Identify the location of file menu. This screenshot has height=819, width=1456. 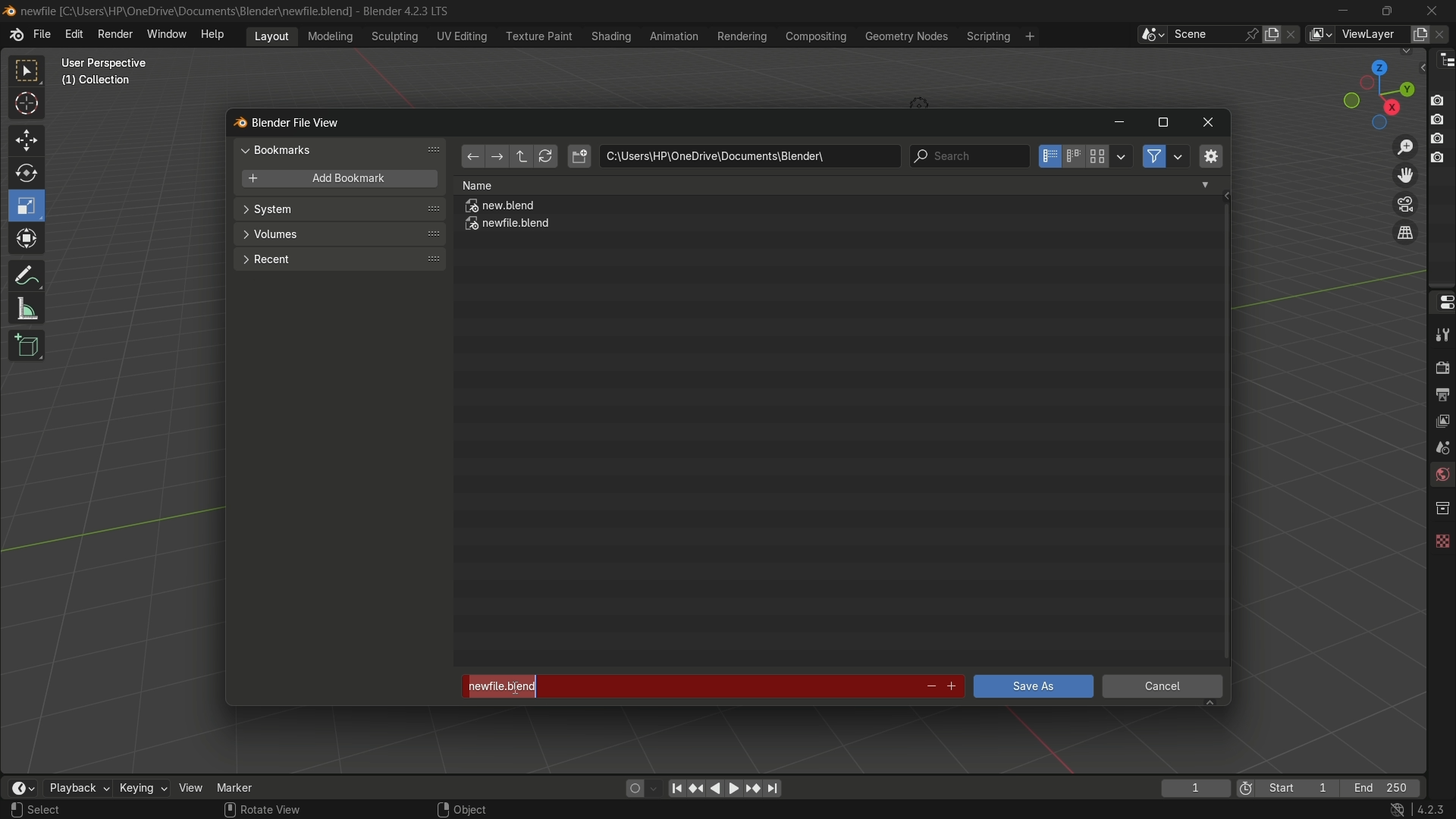
(42, 35).